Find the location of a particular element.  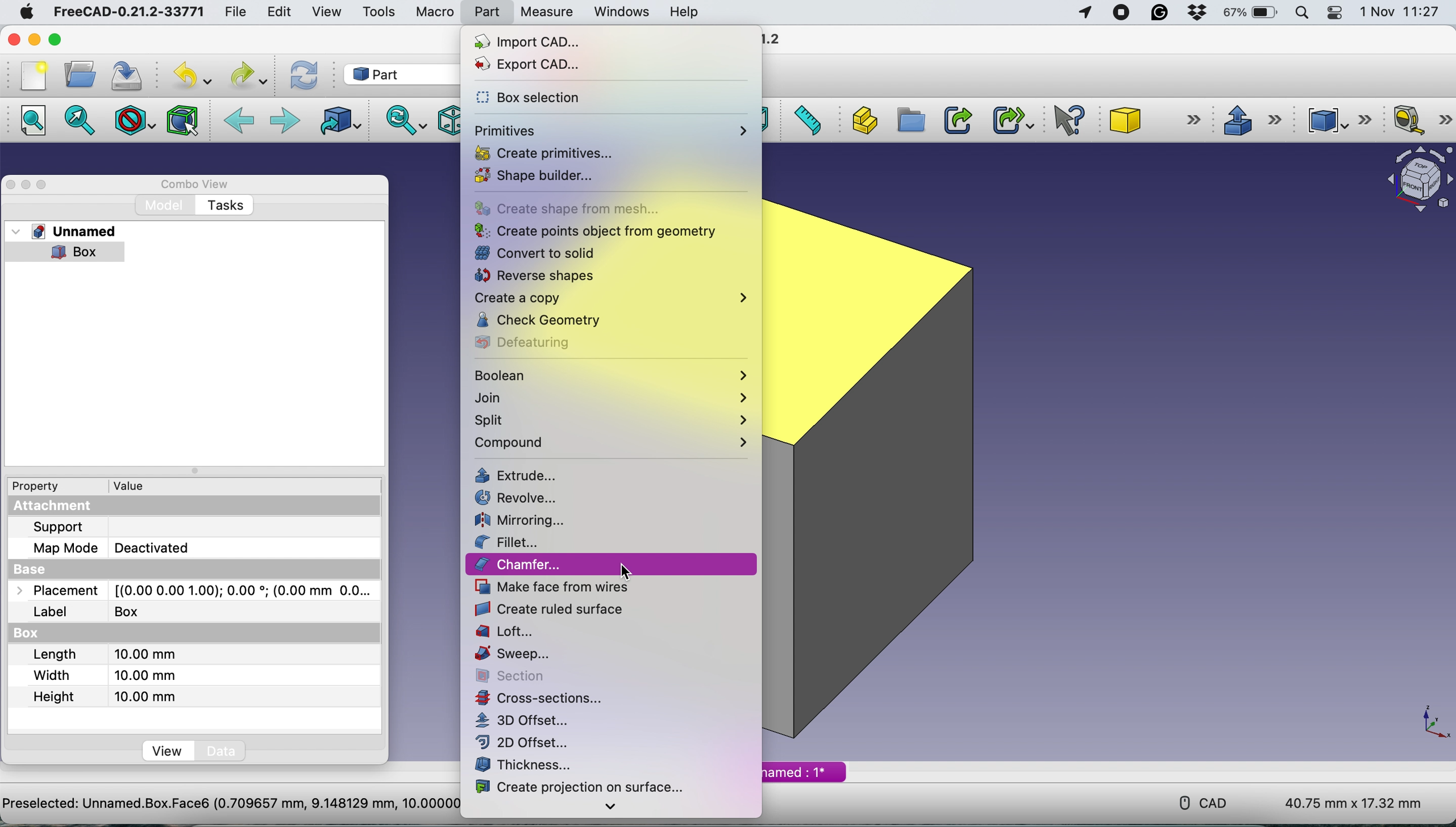

macro is located at coordinates (434, 12).